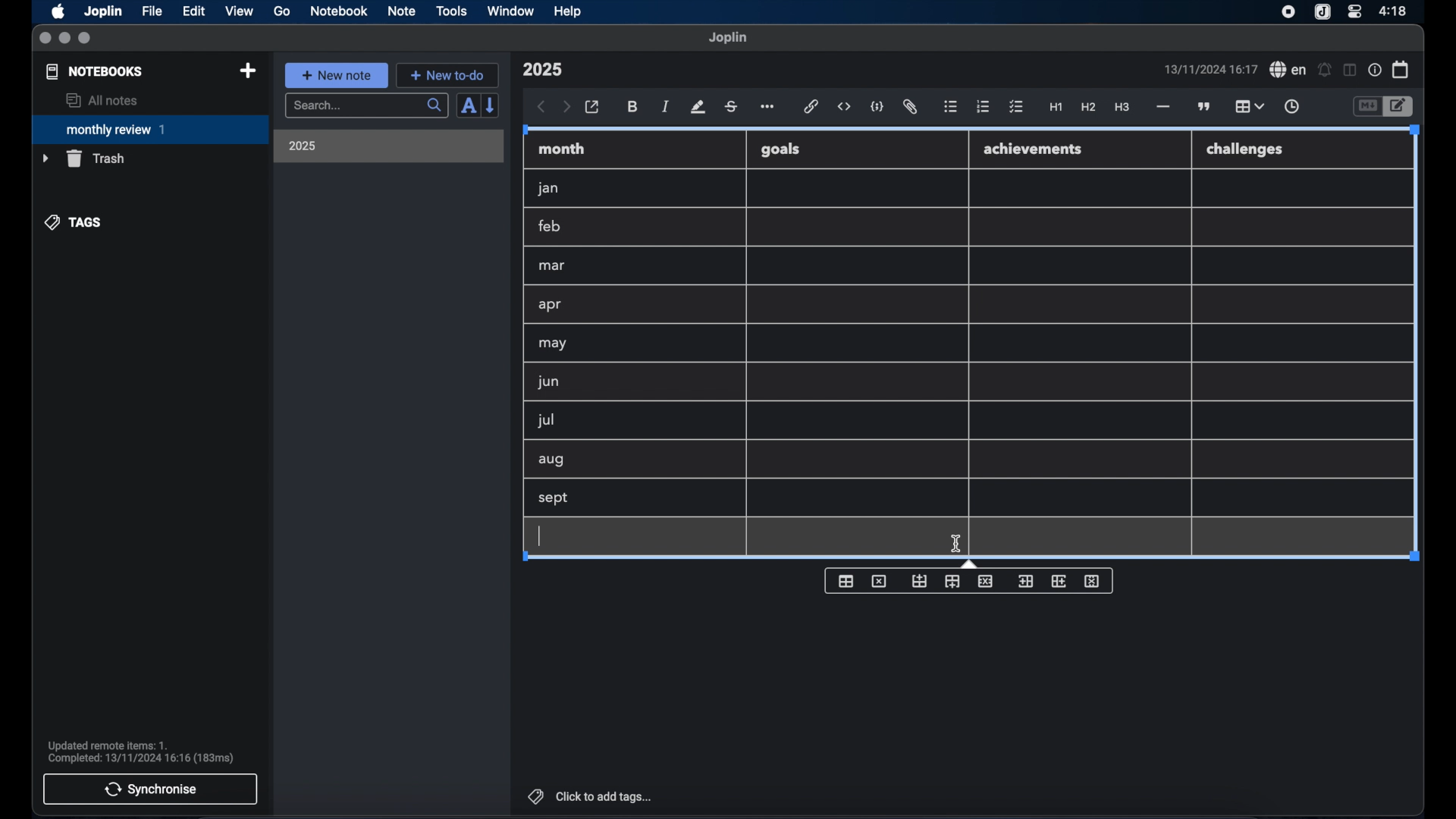 This screenshot has height=819, width=1456. Describe the element at coordinates (910, 107) in the screenshot. I see `attach file` at that location.